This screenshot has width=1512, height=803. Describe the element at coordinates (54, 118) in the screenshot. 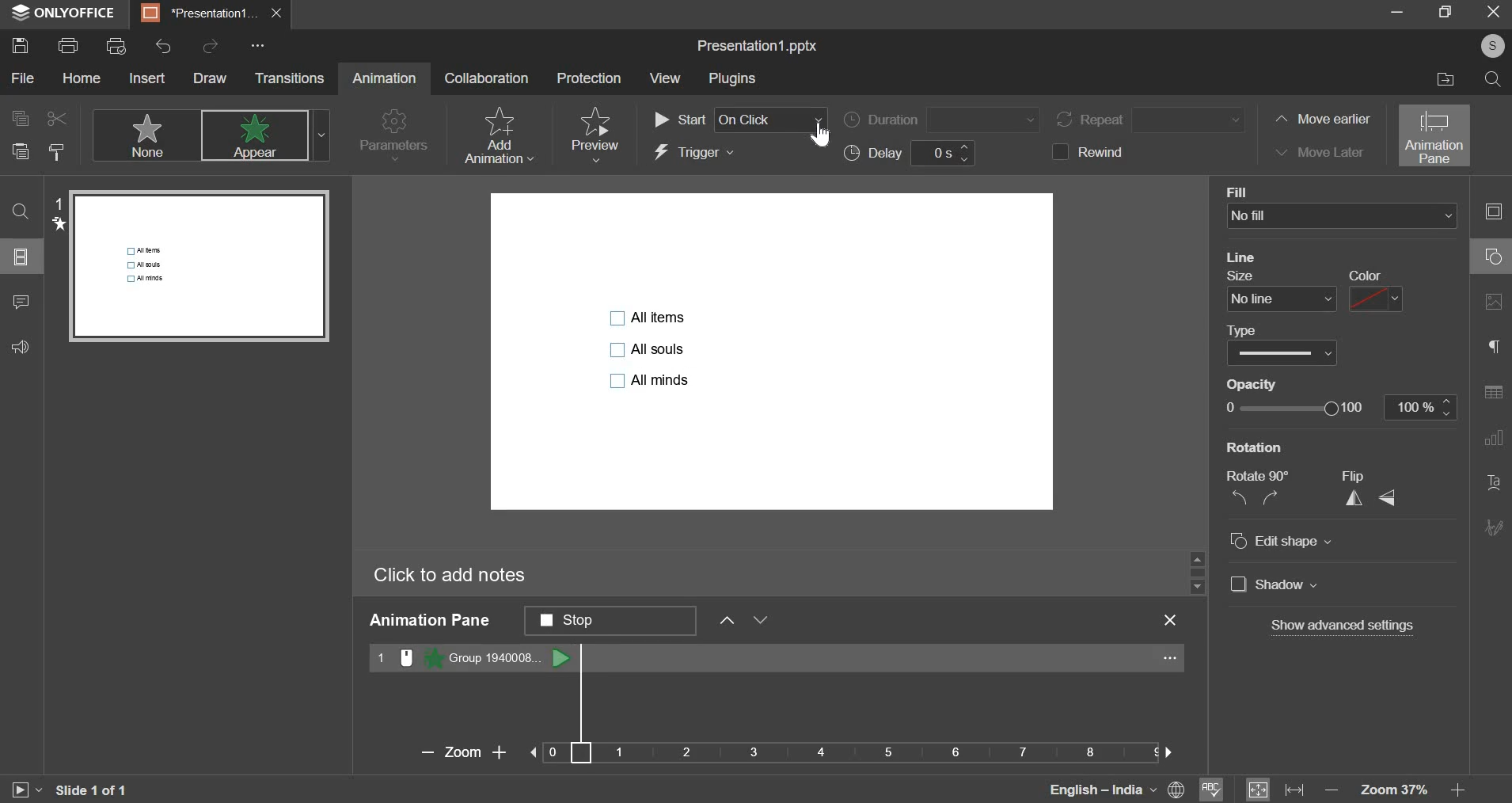

I see `cut` at that location.